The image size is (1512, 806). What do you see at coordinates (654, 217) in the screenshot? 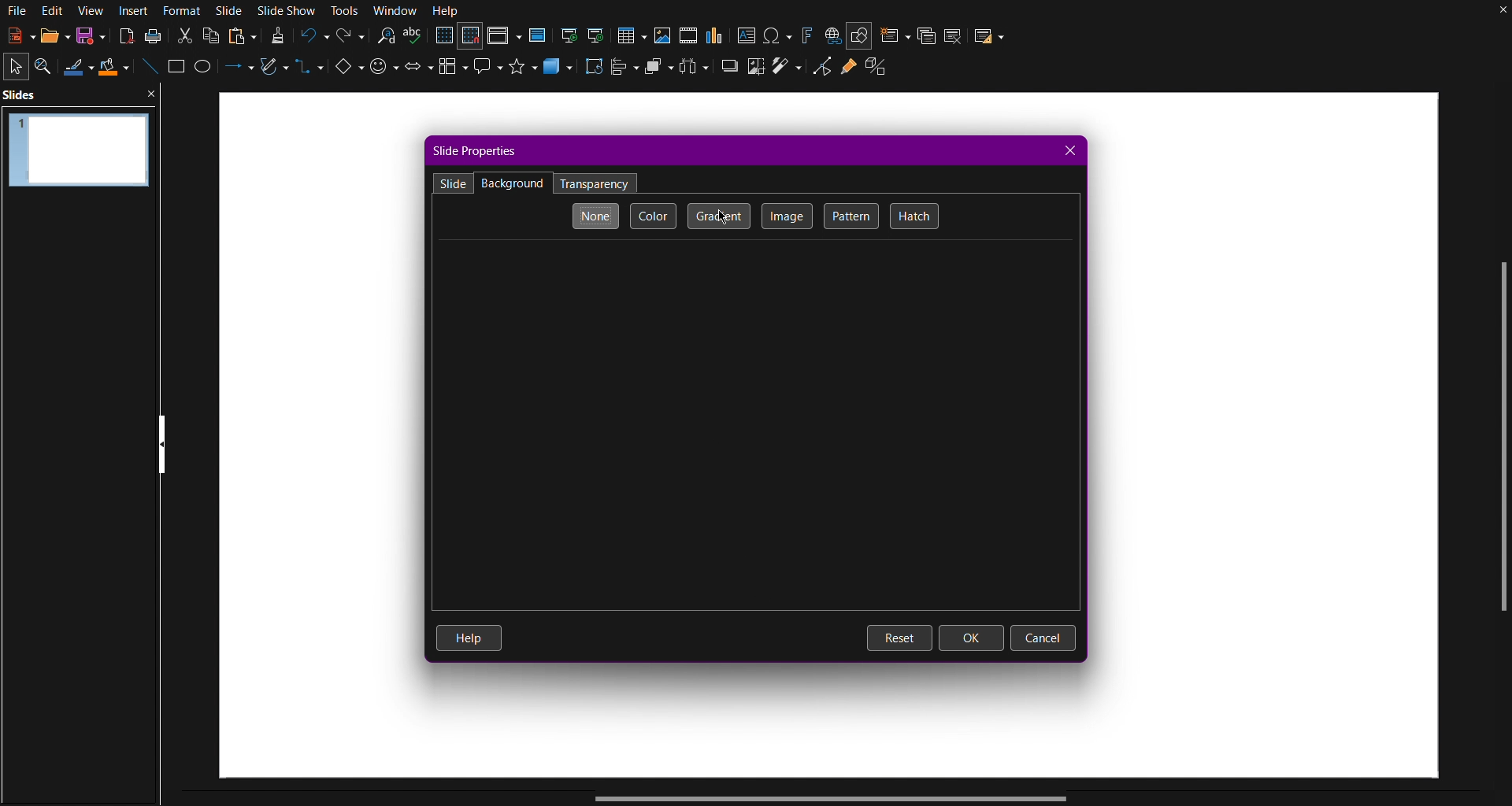
I see `Color` at bounding box center [654, 217].